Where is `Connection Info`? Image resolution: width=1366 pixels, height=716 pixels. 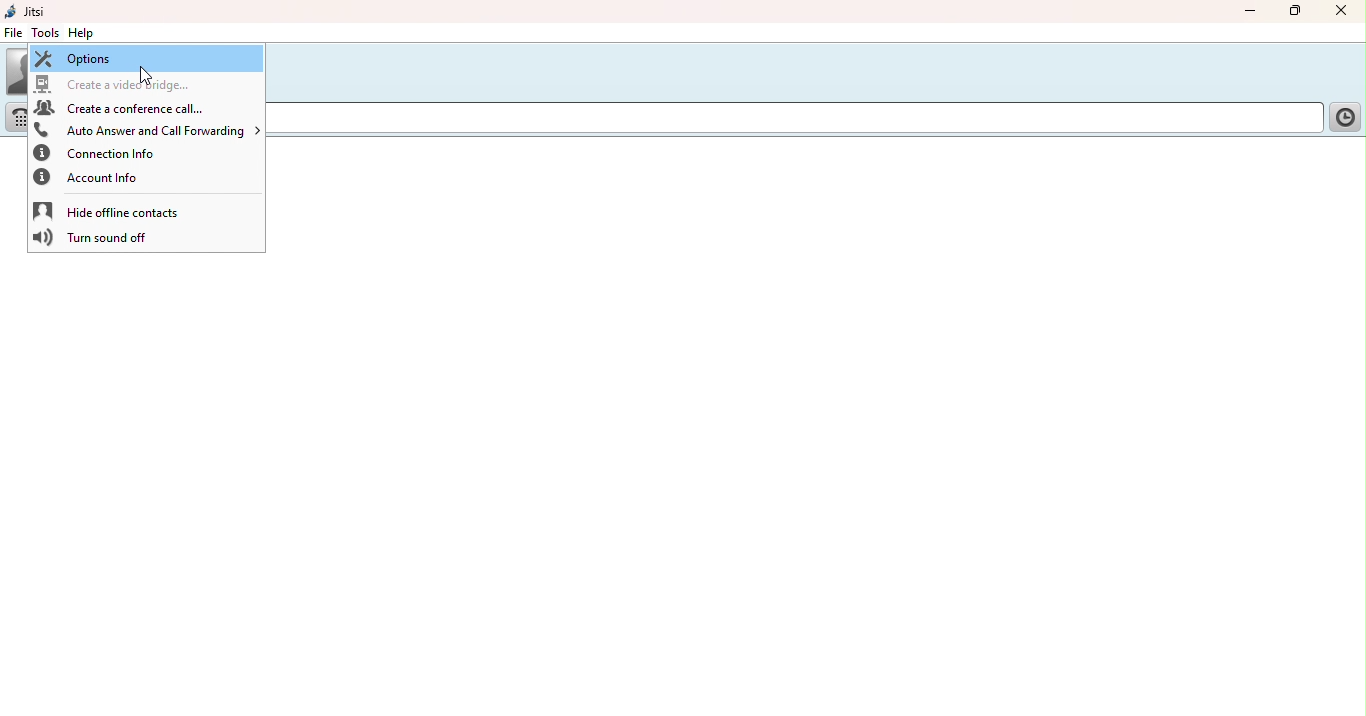
Connection Info is located at coordinates (115, 154).